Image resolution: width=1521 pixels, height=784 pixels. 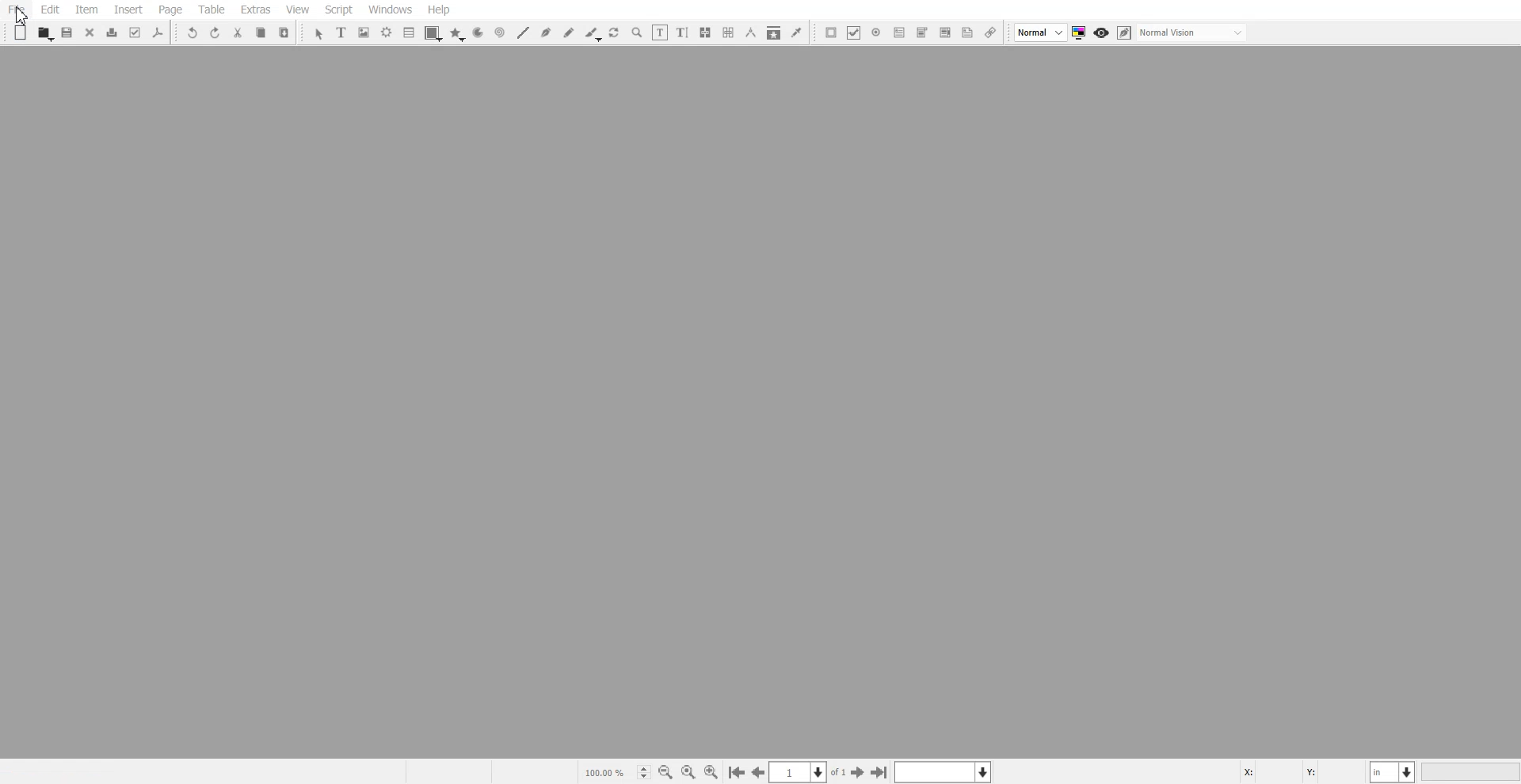 What do you see at coordinates (876, 32) in the screenshot?
I see `PDF Radio Button` at bounding box center [876, 32].